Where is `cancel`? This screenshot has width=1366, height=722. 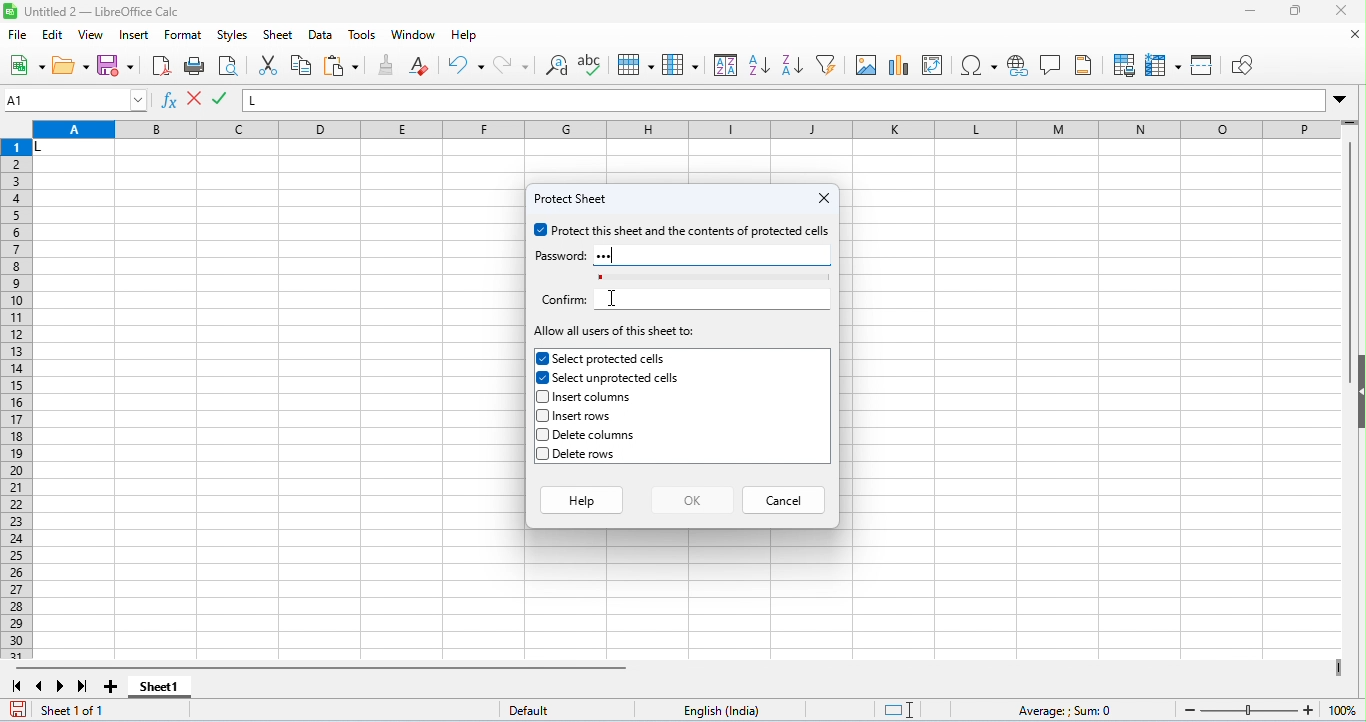
cancel is located at coordinates (785, 498).